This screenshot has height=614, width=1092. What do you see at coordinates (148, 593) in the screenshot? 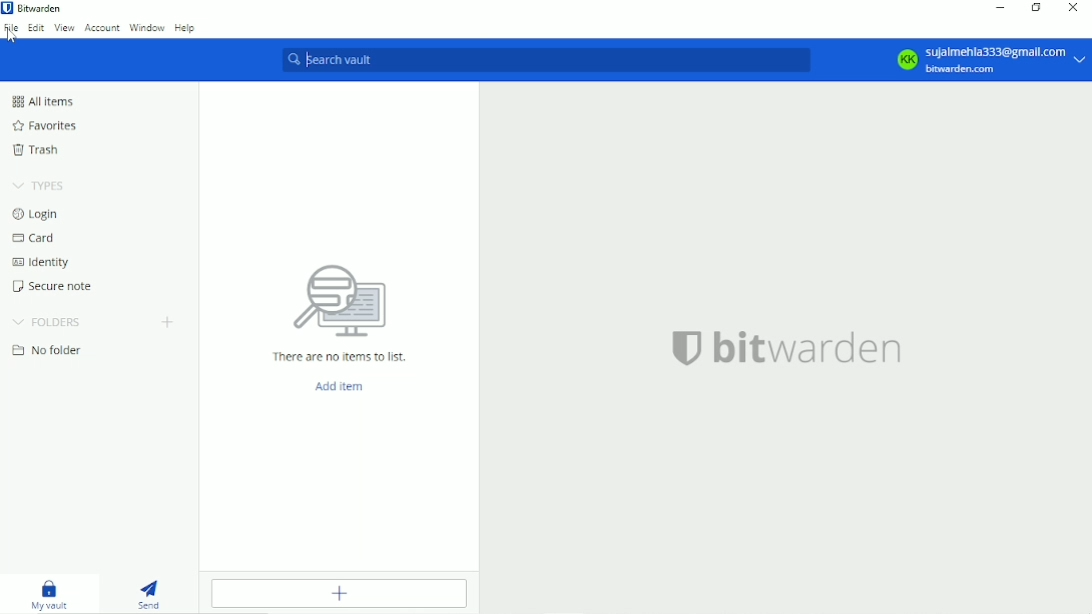
I see `Send` at bounding box center [148, 593].